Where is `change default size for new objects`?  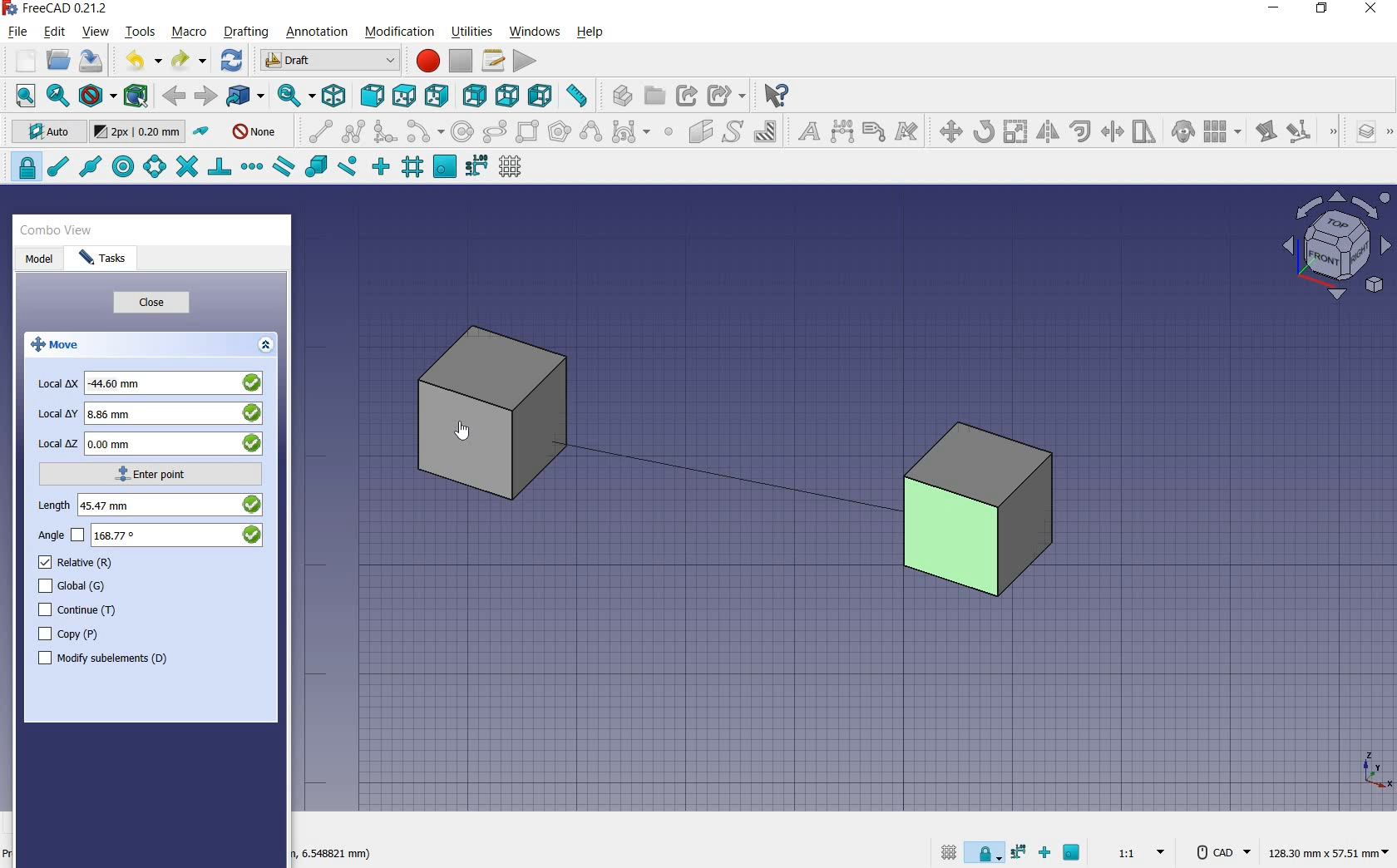 change default size for new objects is located at coordinates (137, 132).